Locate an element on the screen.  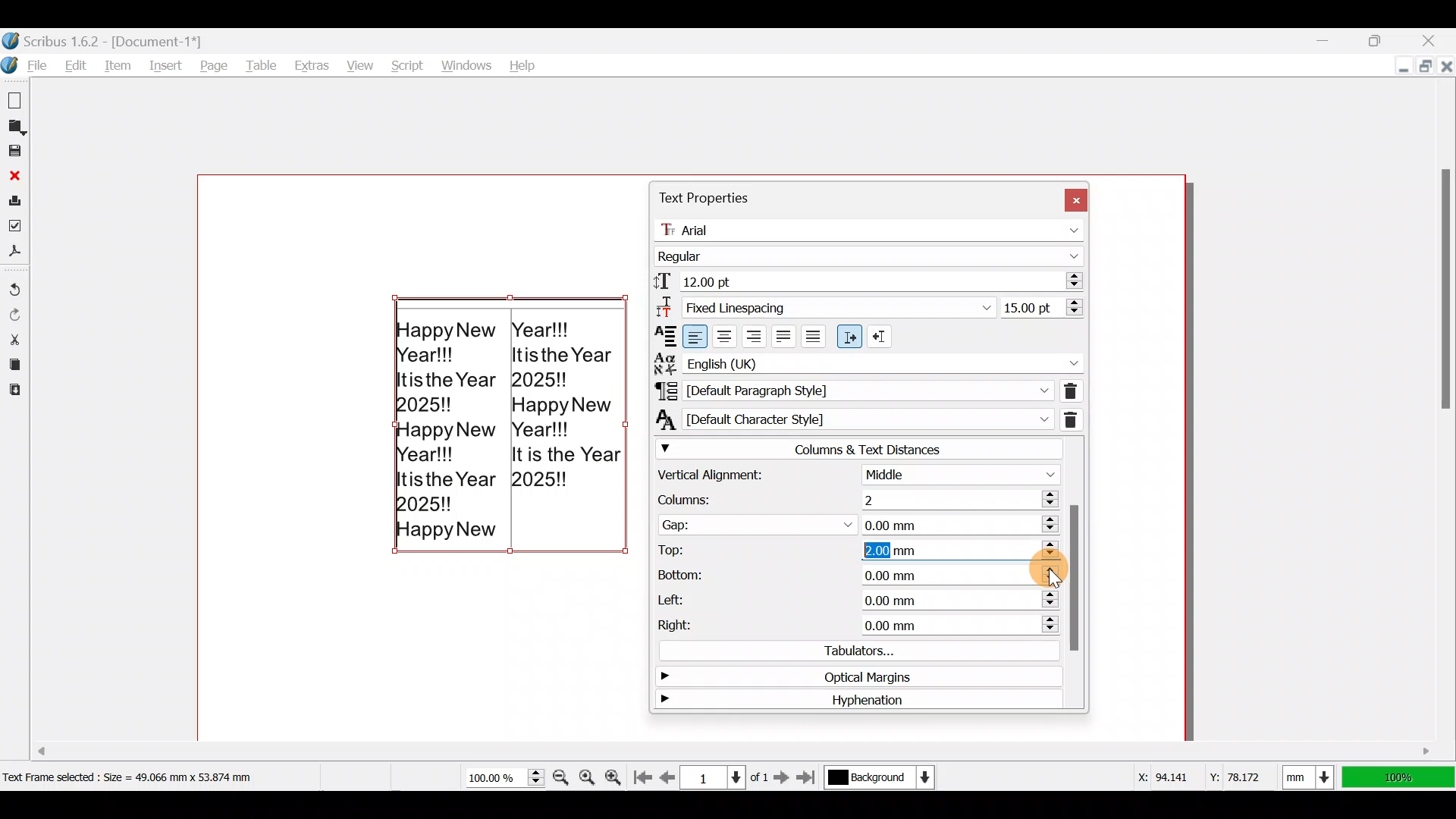
Document name is located at coordinates (105, 39).